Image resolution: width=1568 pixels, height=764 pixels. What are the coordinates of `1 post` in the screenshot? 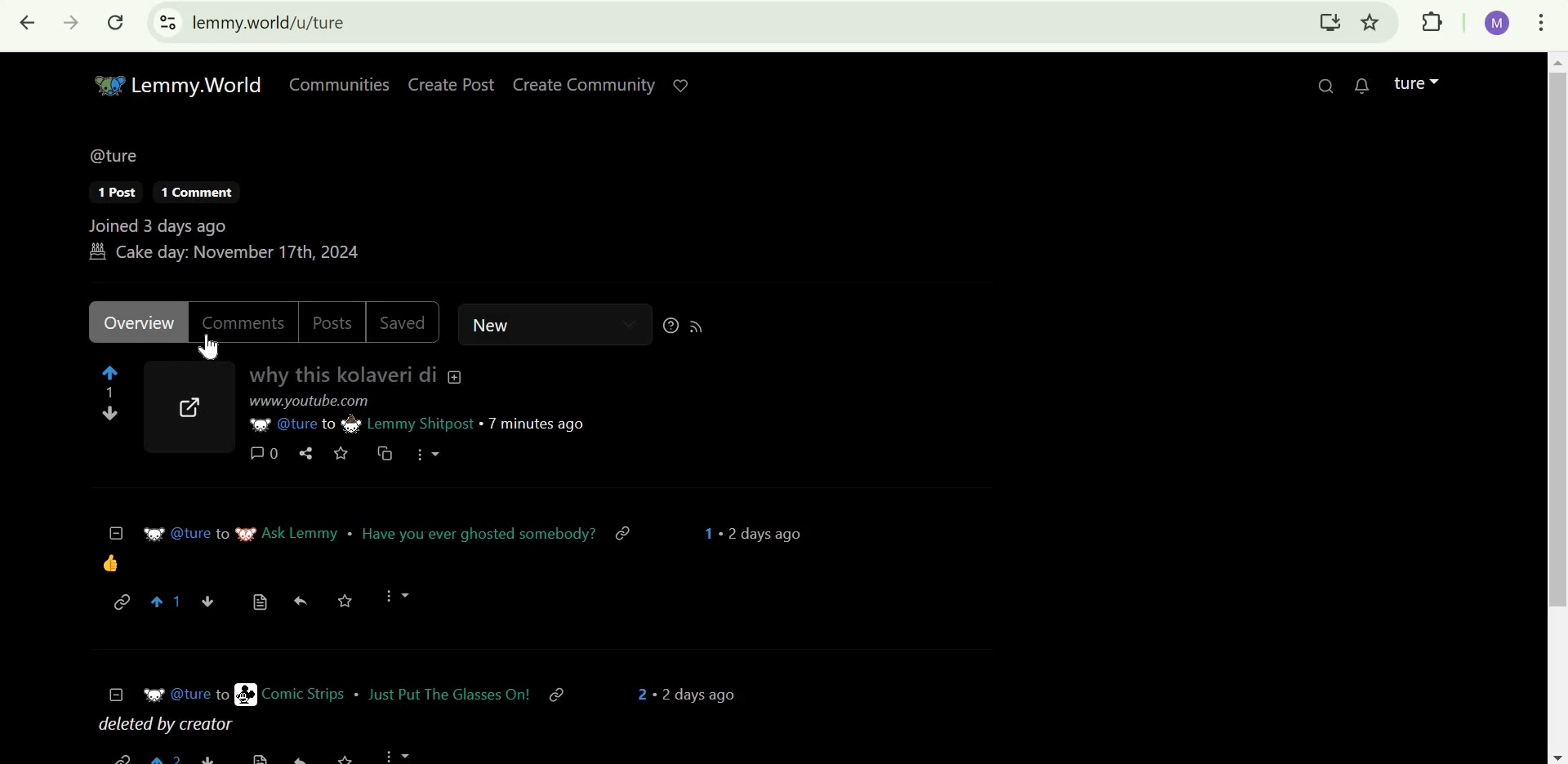 It's located at (117, 193).